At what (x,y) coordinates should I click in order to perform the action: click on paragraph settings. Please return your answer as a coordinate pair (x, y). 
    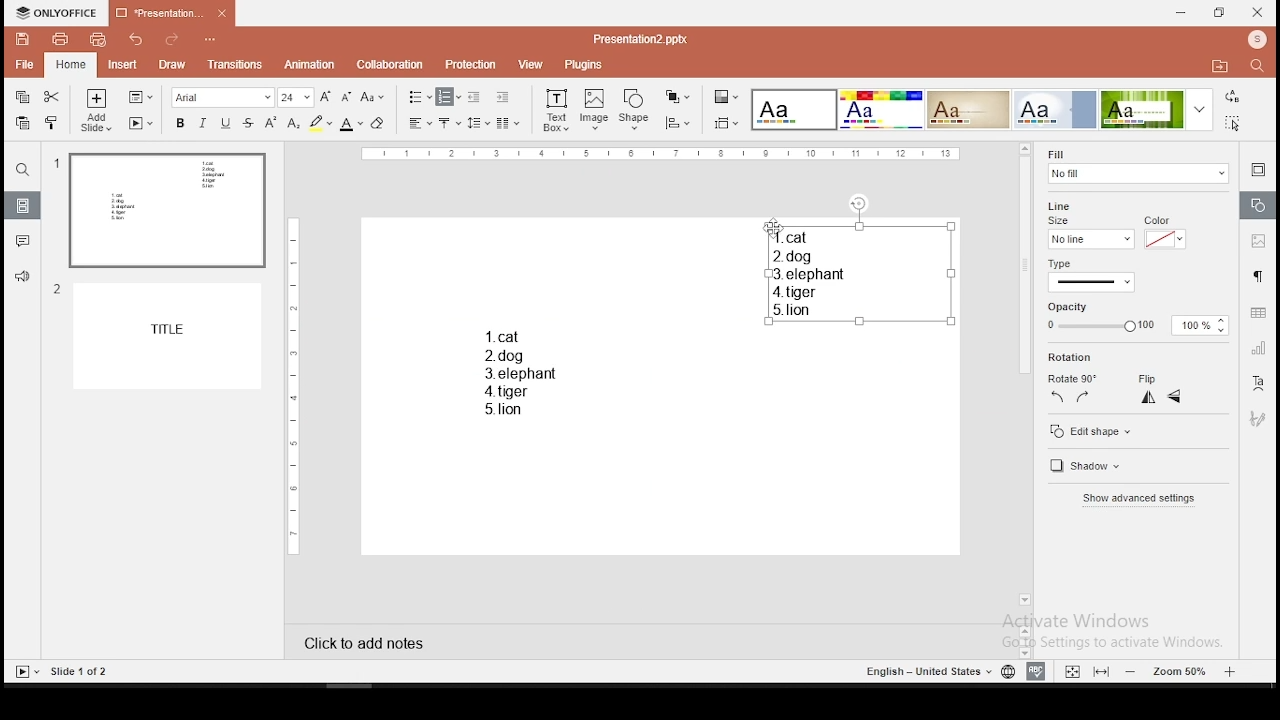
    Looking at the image, I should click on (1257, 278).